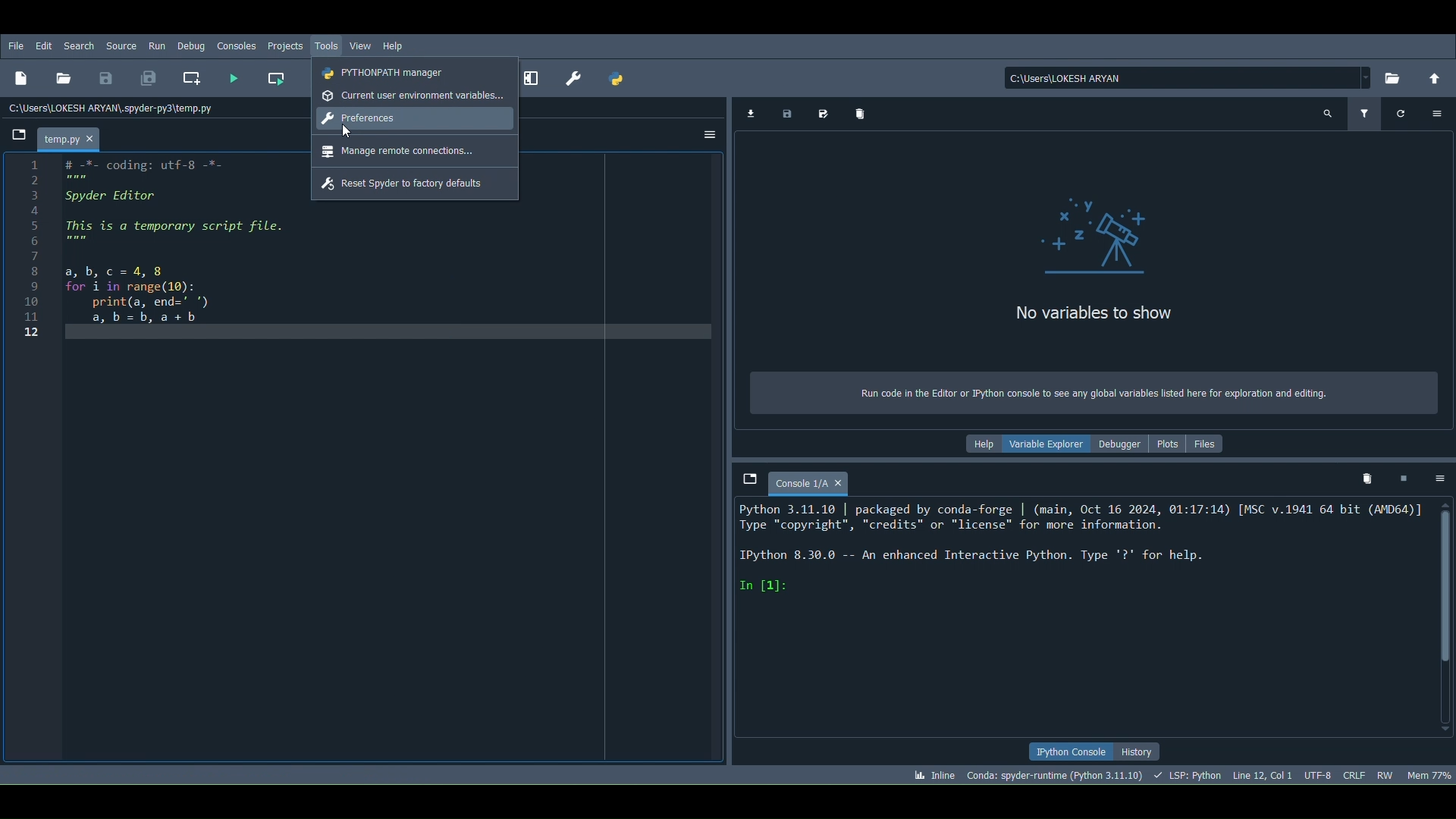  What do you see at coordinates (1367, 111) in the screenshot?
I see `Filter variables` at bounding box center [1367, 111].